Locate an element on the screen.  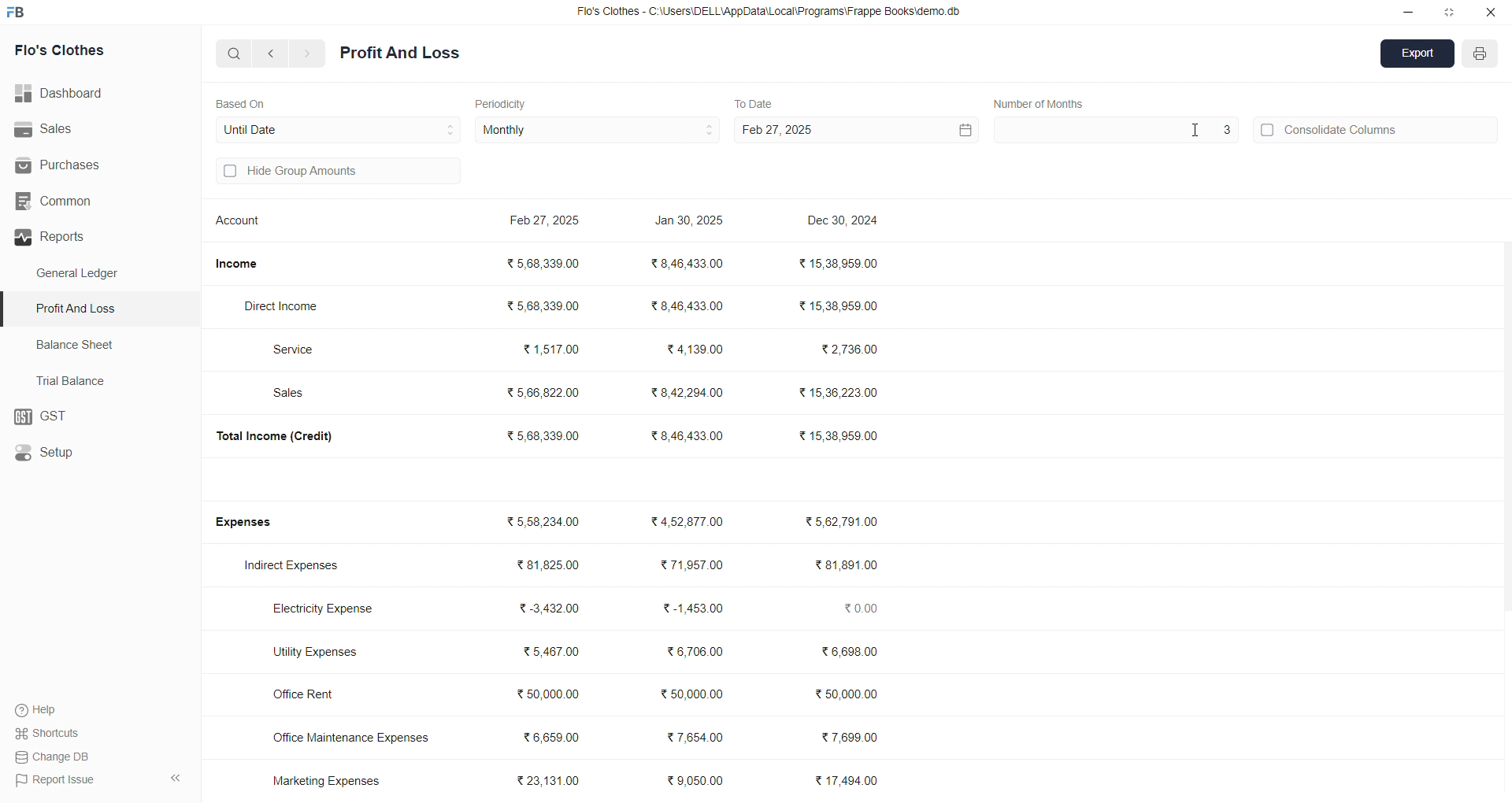
Change DB is located at coordinates (56, 757).